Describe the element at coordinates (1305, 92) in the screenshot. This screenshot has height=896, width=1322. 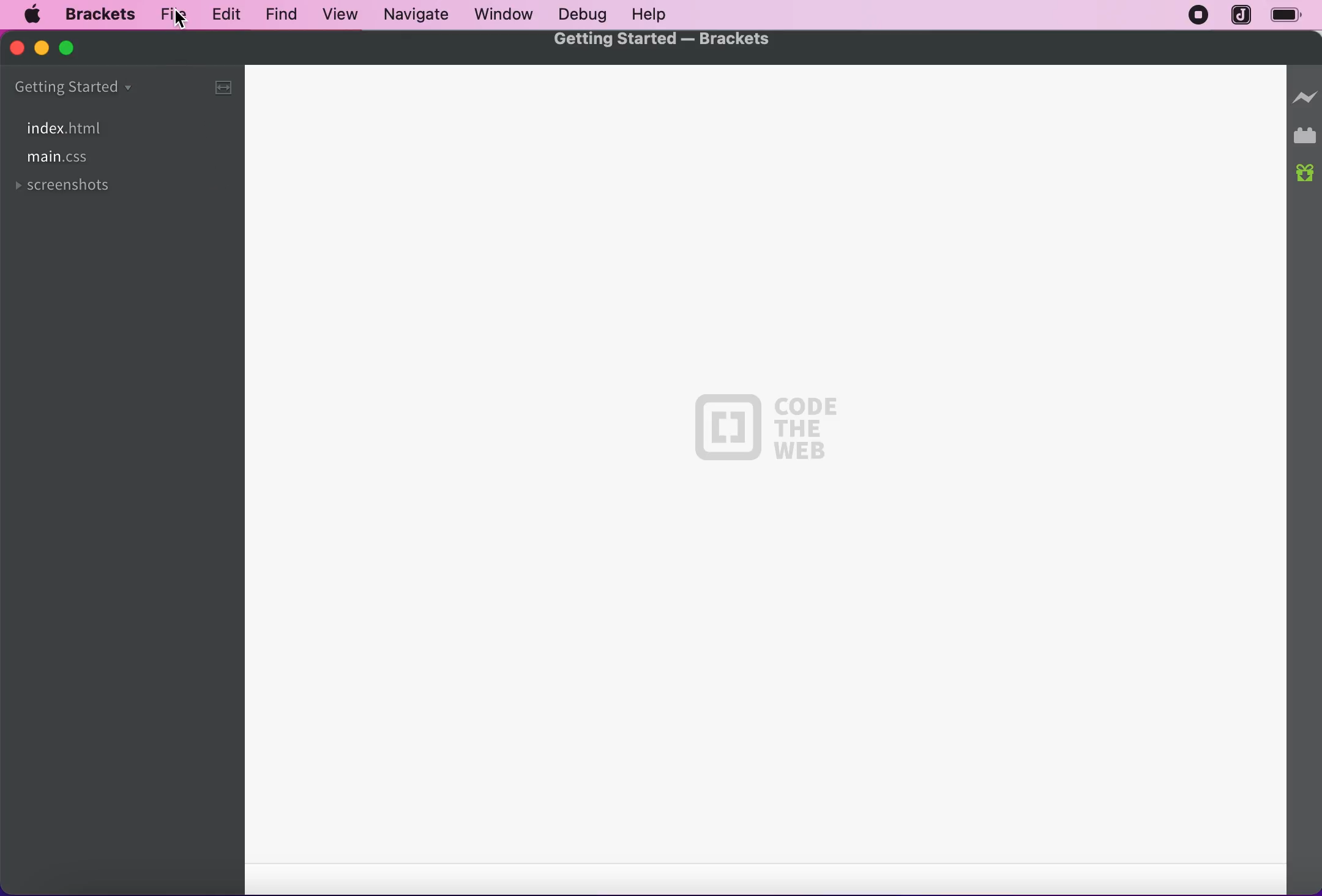
I see `live preview` at that location.